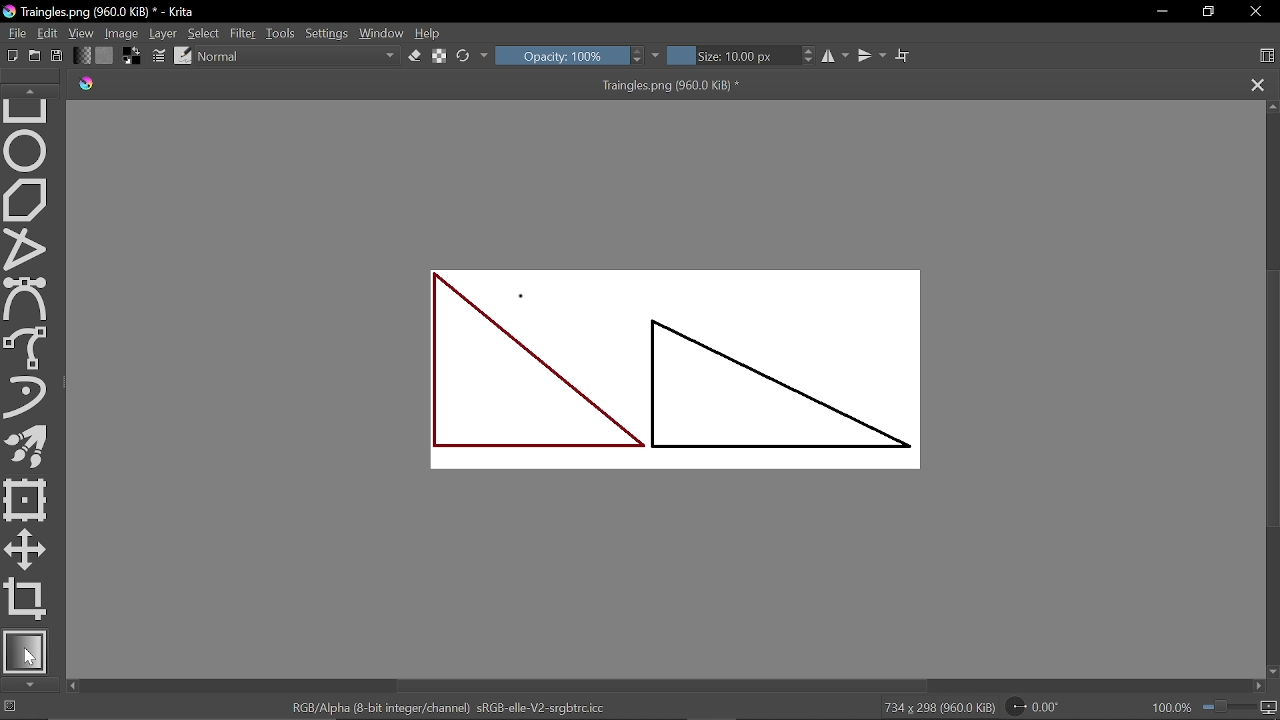 This screenshot has width=1280, height=720. What do you see at coordinates (1271, 399) in the screenshot?
I see `Vertical scrollbar` at bounding box center [1271, 399].